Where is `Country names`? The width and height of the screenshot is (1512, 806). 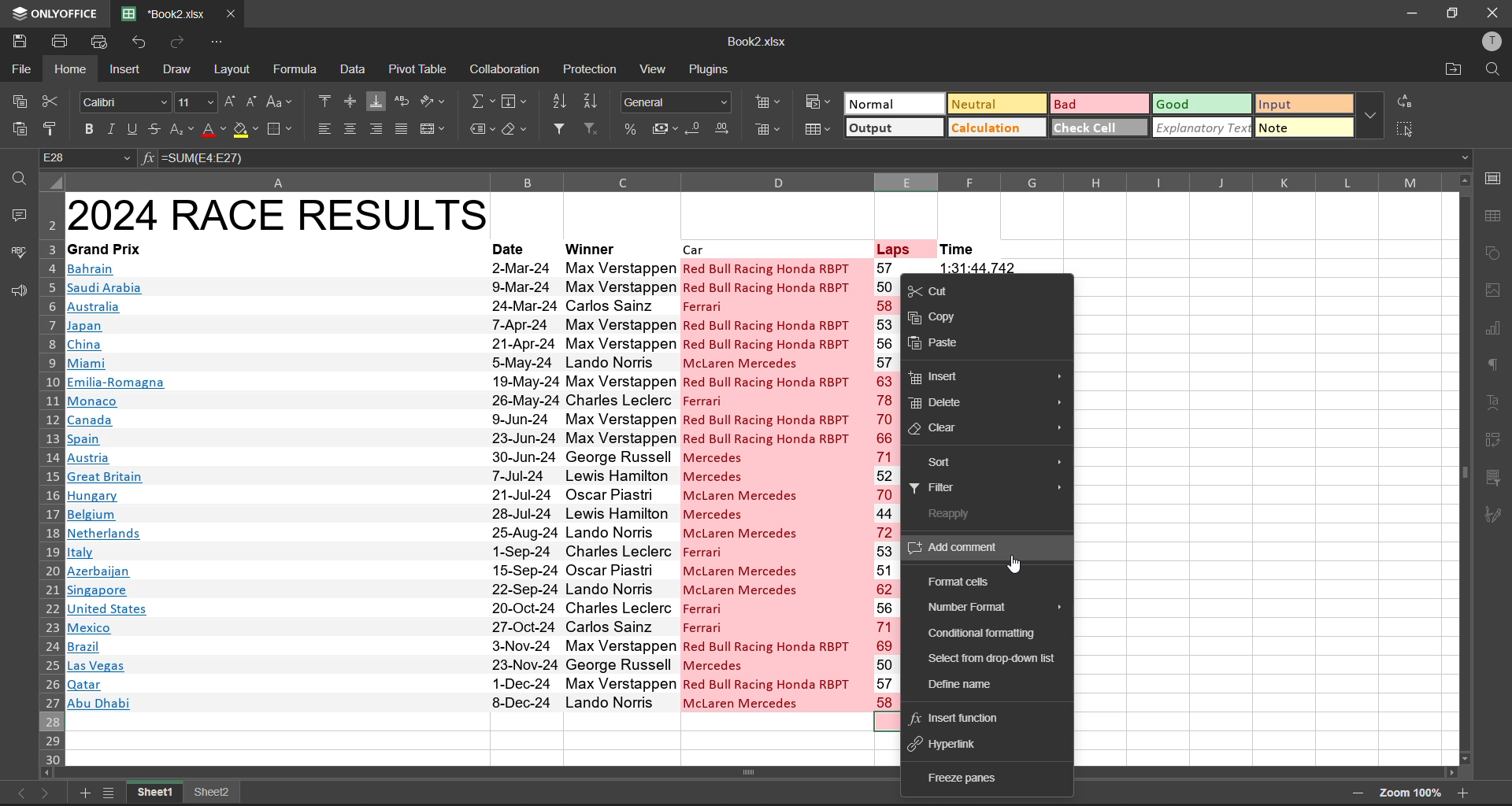 Country names is located at coordinates (118, 486).